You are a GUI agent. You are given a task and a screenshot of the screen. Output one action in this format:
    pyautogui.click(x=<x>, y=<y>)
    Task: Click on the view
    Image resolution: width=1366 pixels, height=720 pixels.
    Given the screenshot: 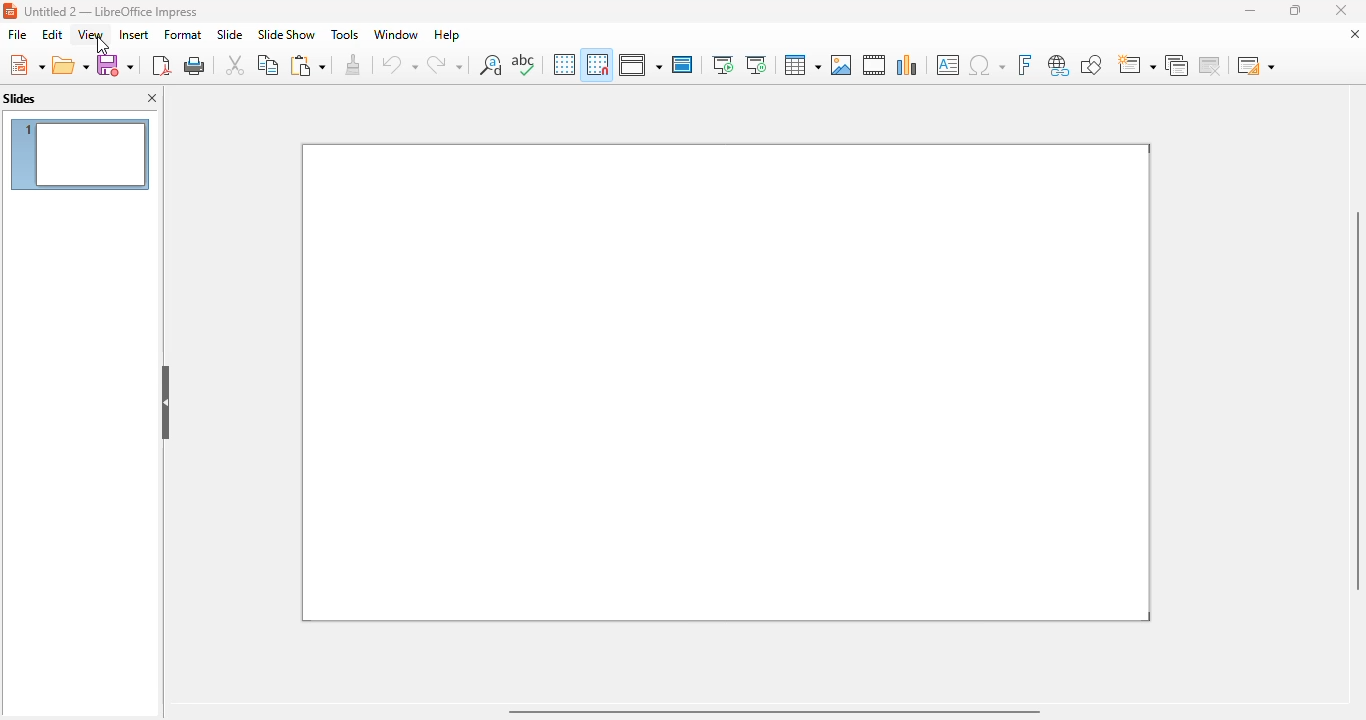 What is the action you would take?
    pyautogui.click(x=90, y=34)
    